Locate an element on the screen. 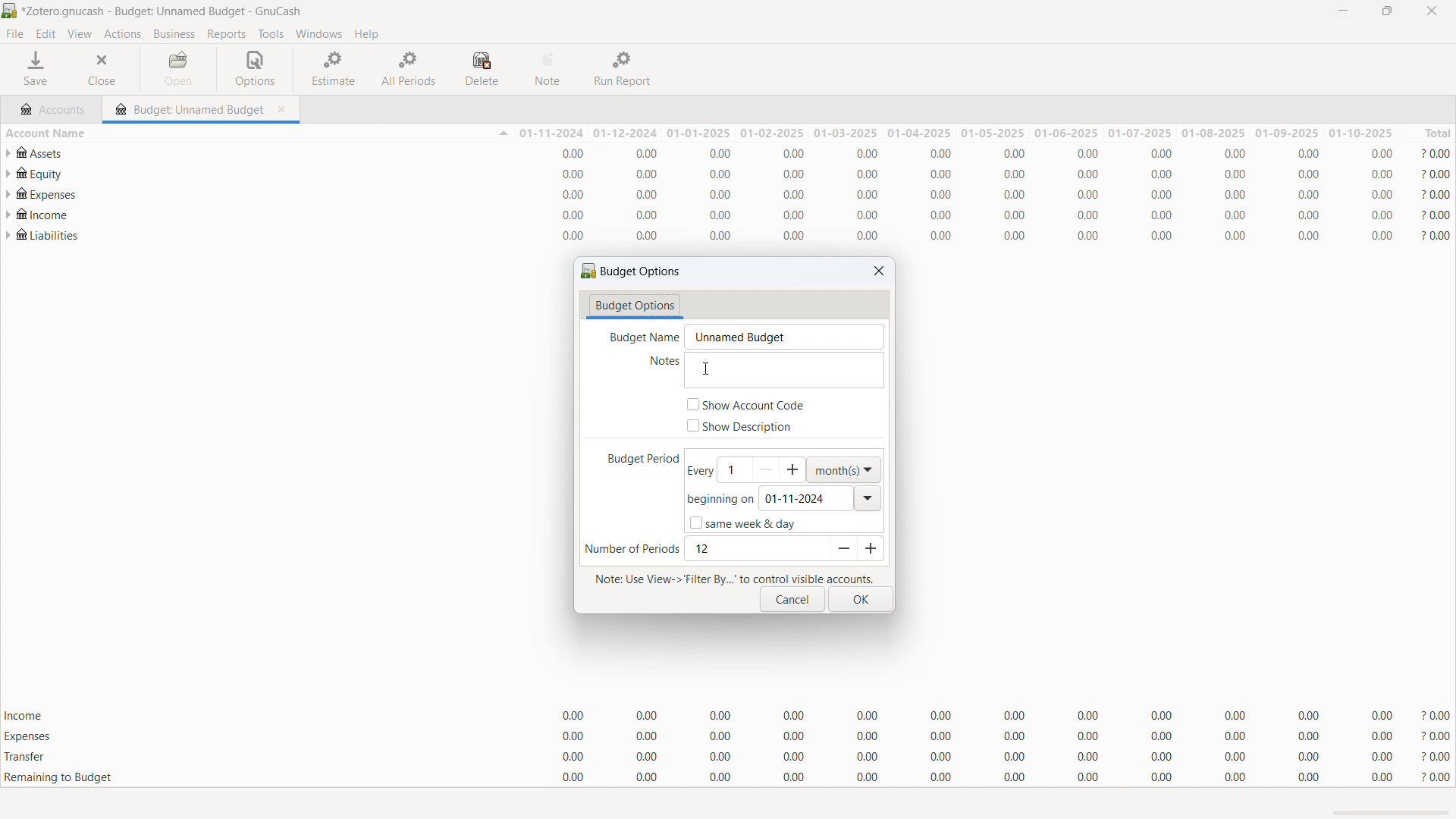 The image size is (1456, 819). show description is located at coordinates (741, 426).